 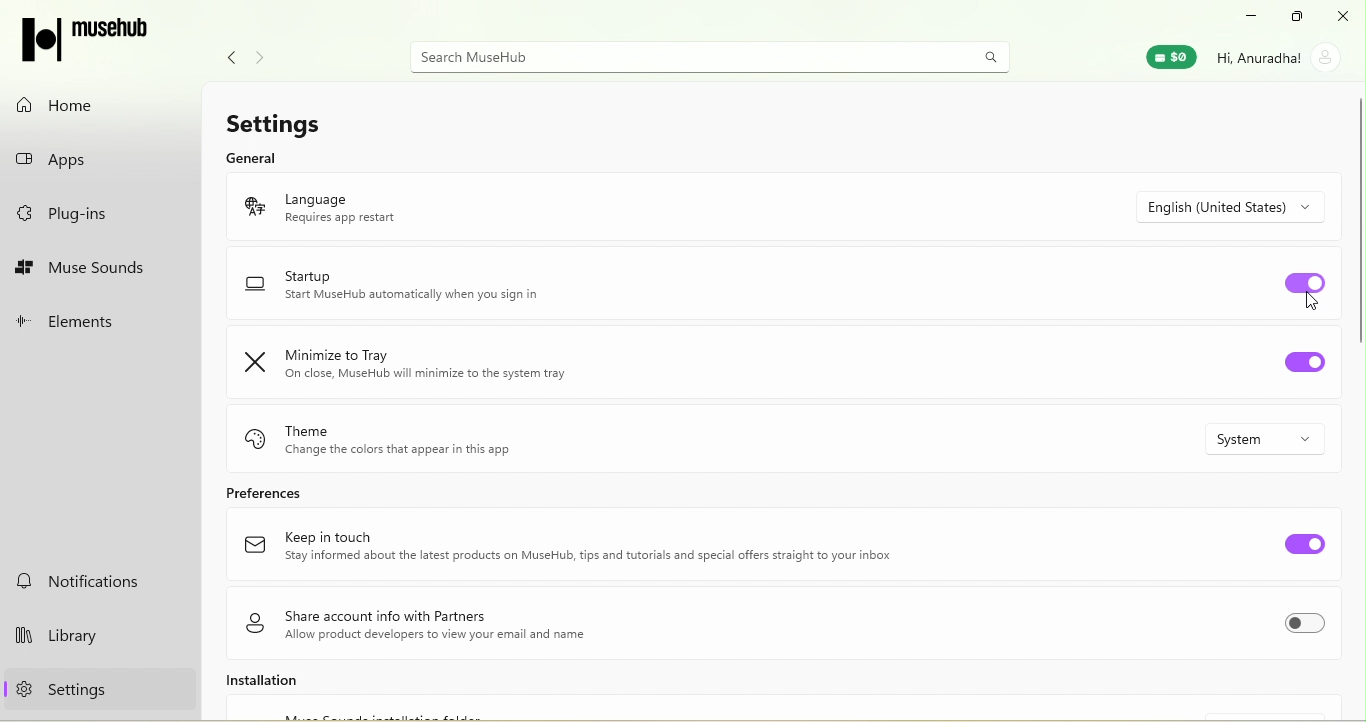 What do you see at coordinates (85, 36) in the screenshot?
I see `icon` at bounding box center [85, 36].